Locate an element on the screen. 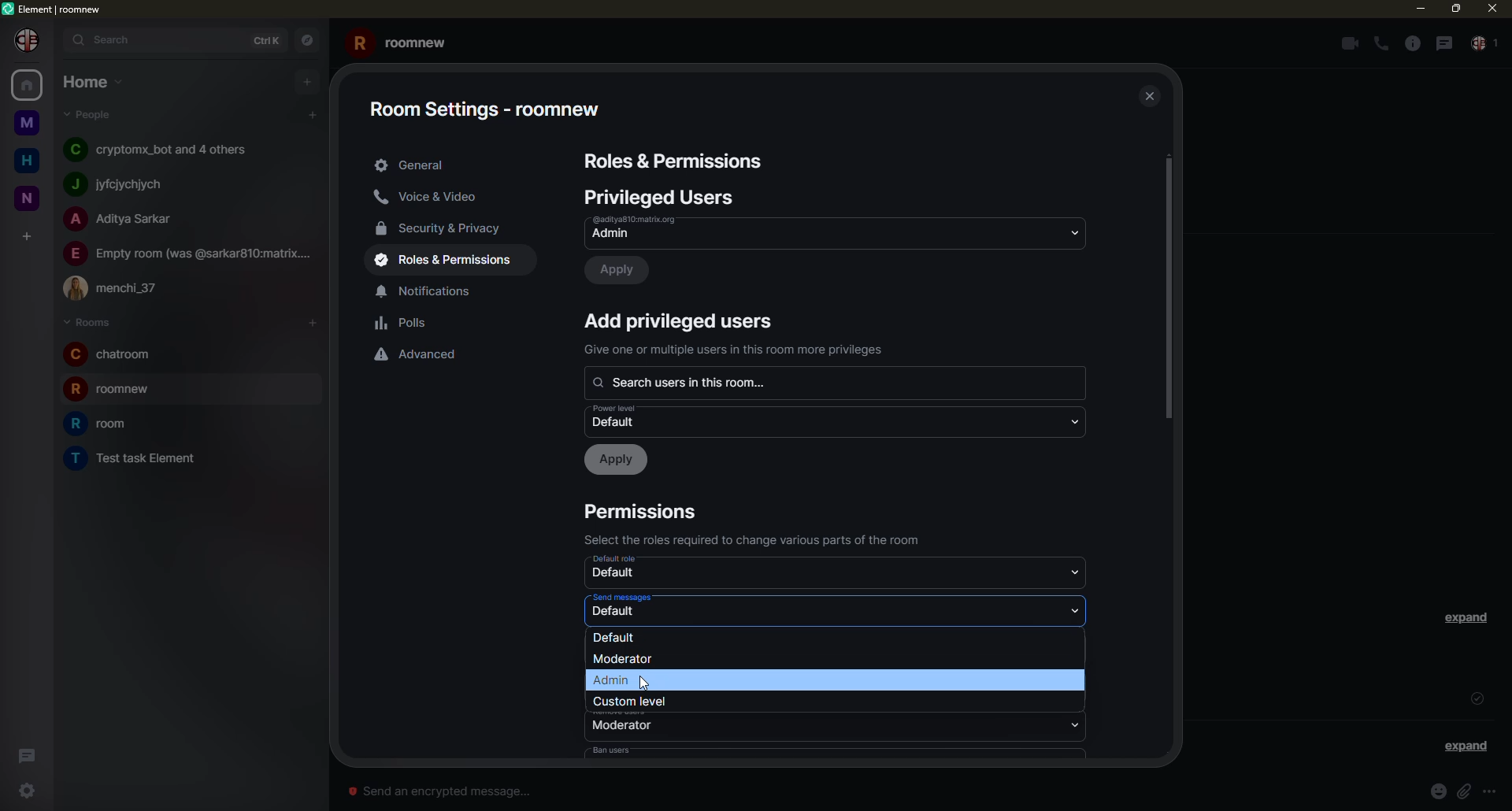 The height and width of the screenshot is (811, 1512). ctrlK is located at coordinates (270, 39).